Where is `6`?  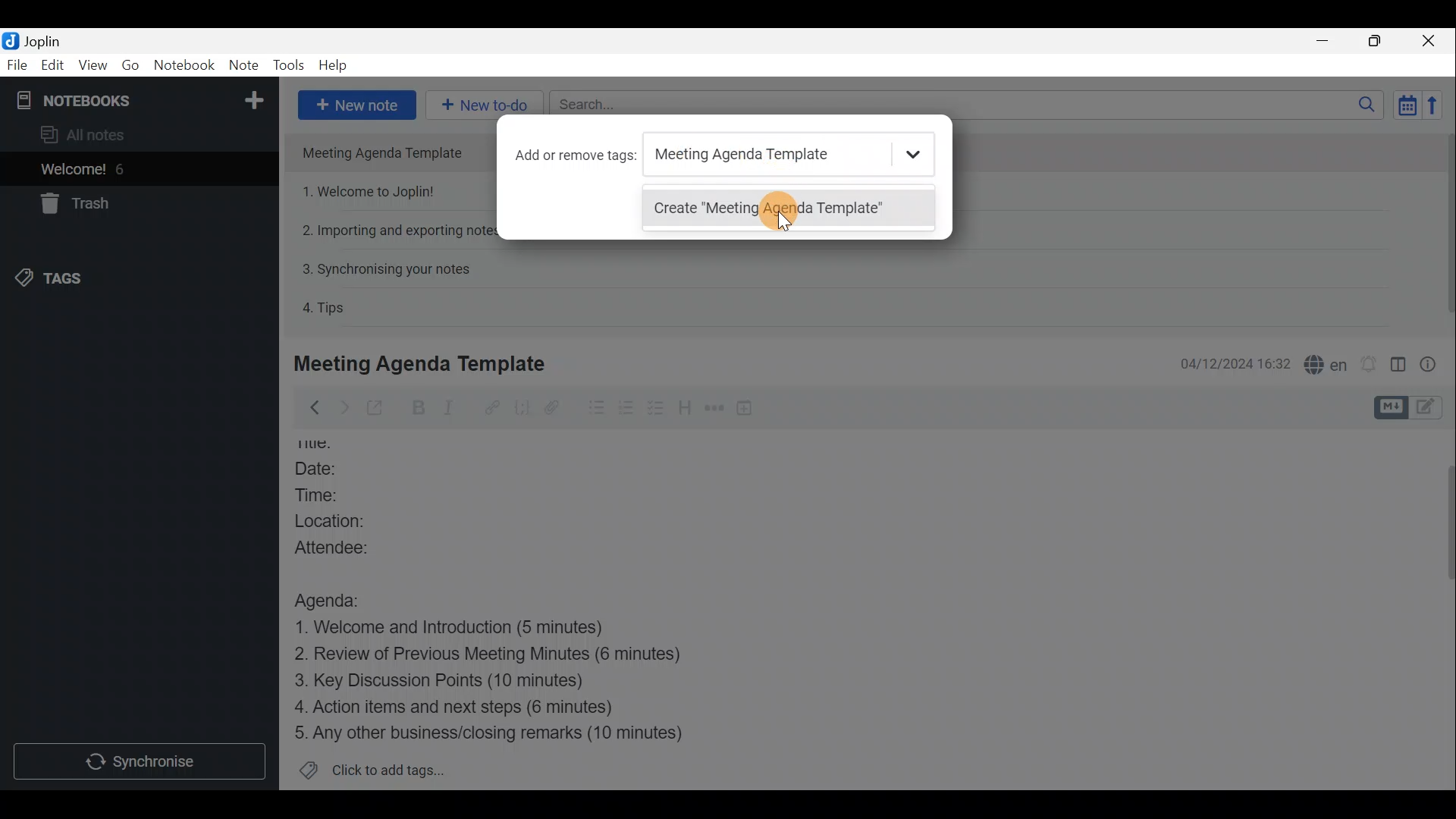 6 is located at coordinates (124, 169).